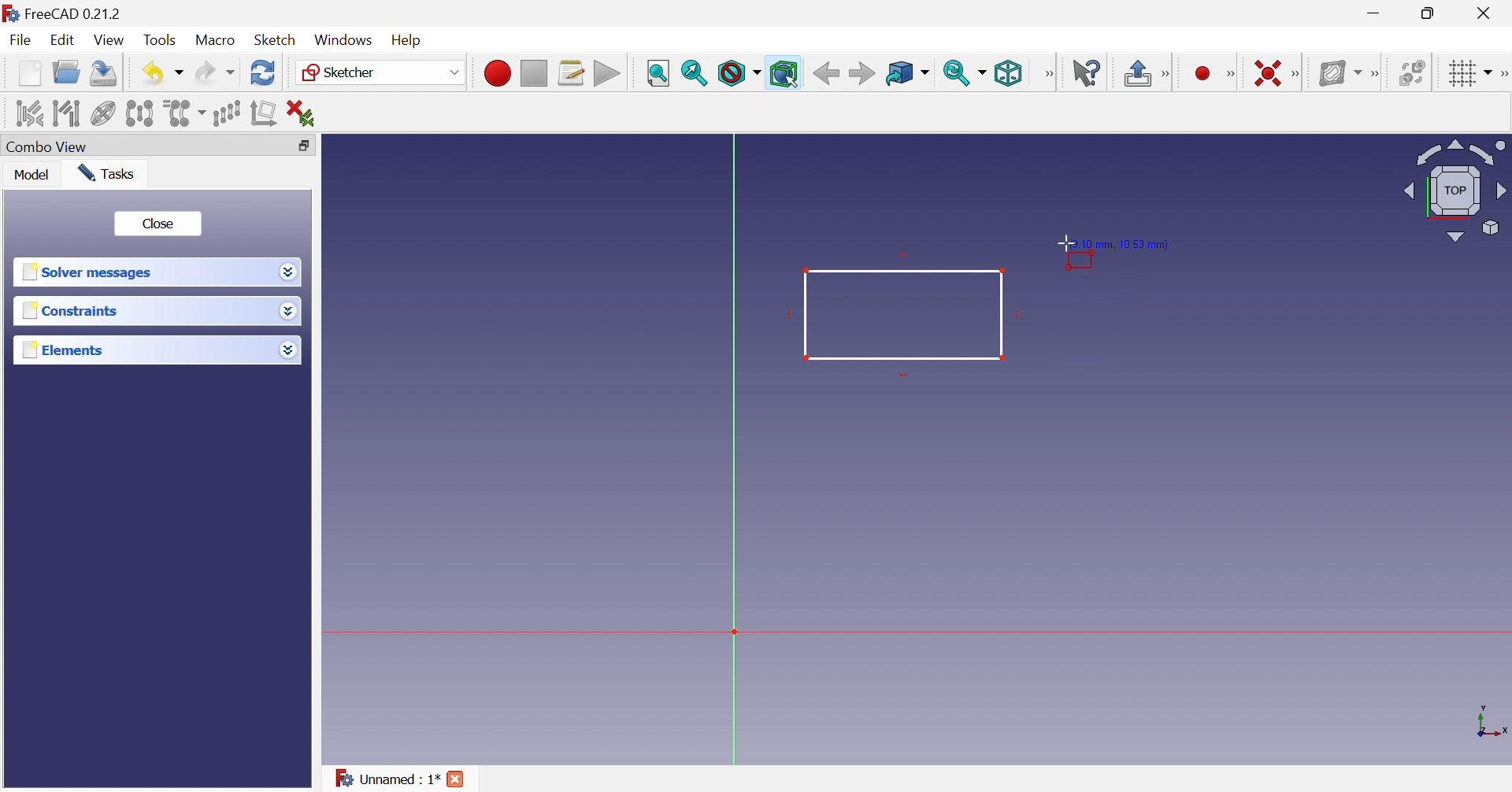  I want to click on Leave sketch, so click(1138, 74).